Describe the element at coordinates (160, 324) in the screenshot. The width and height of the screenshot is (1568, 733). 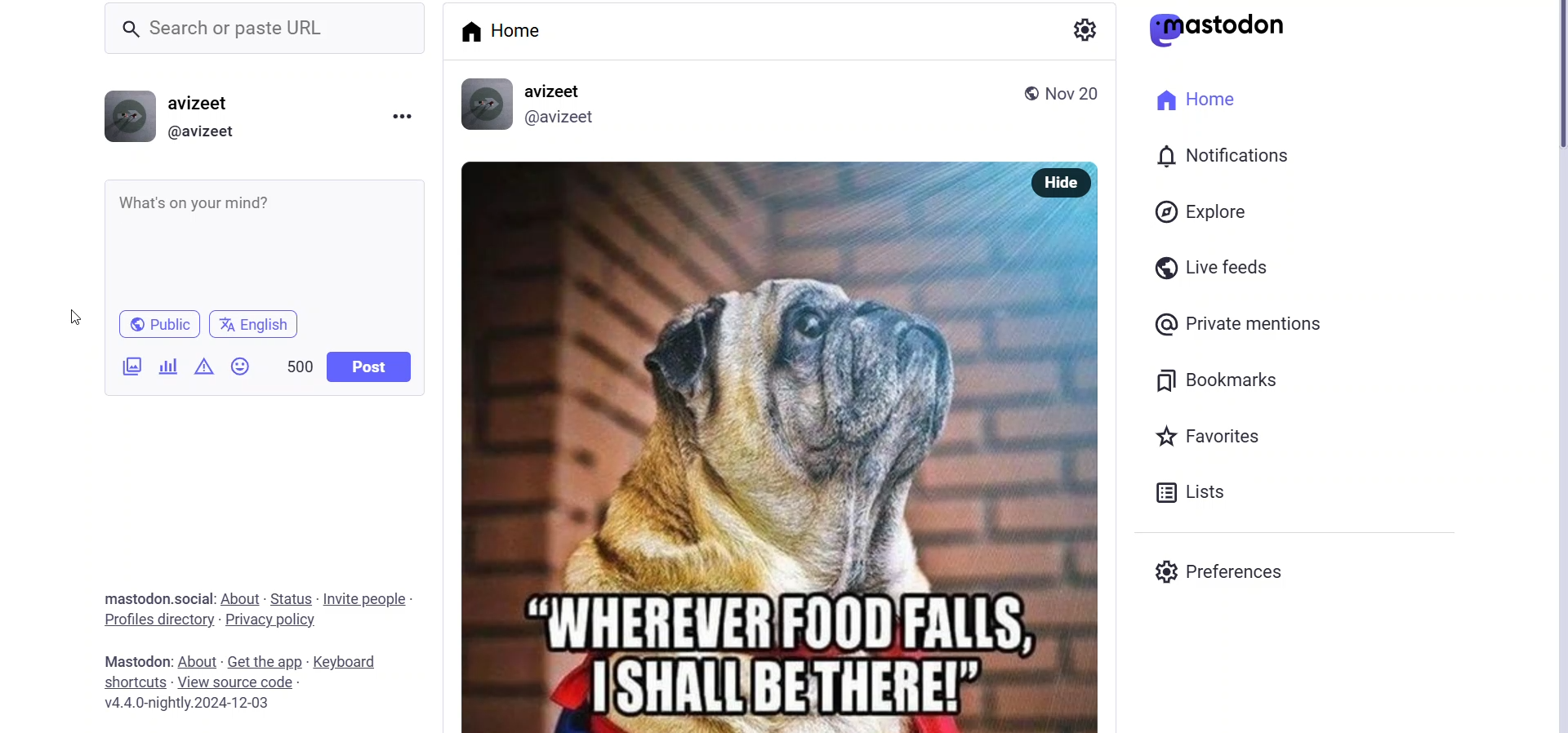
I see `public ` at that location.